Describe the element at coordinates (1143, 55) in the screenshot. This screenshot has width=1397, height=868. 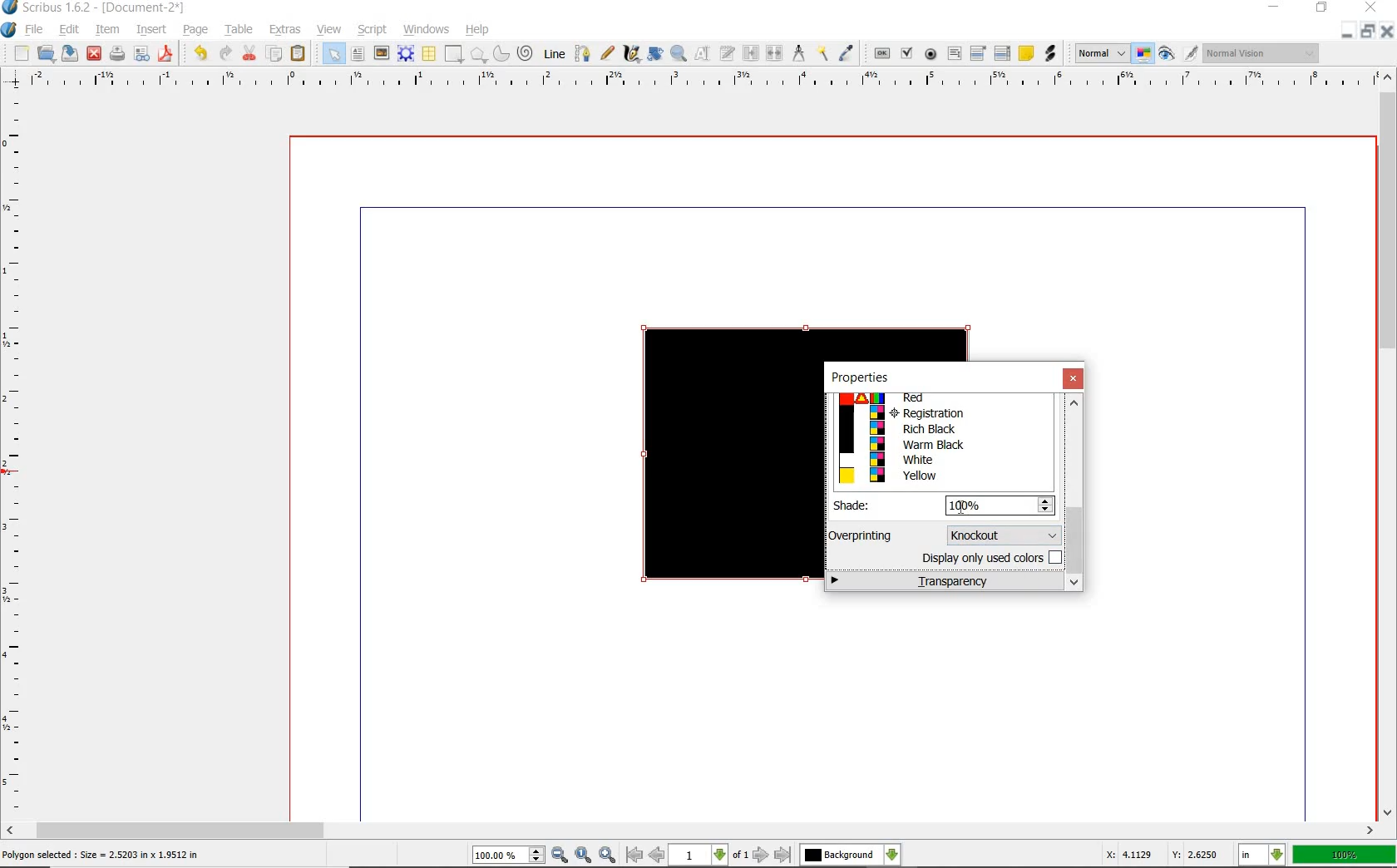
I see `toggle management system` at that location.